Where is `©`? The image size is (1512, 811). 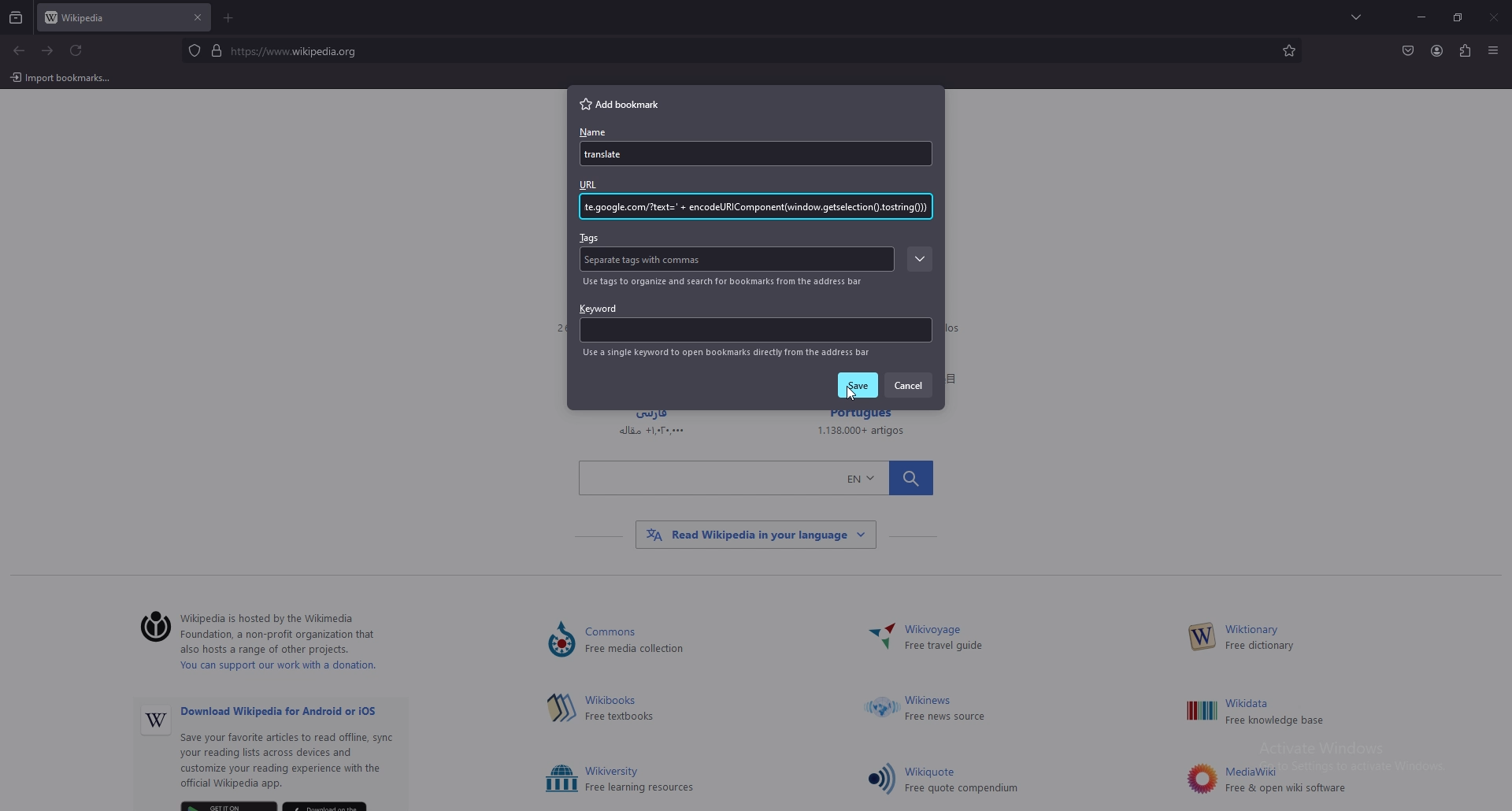 © is located at coordinates (150, 628).